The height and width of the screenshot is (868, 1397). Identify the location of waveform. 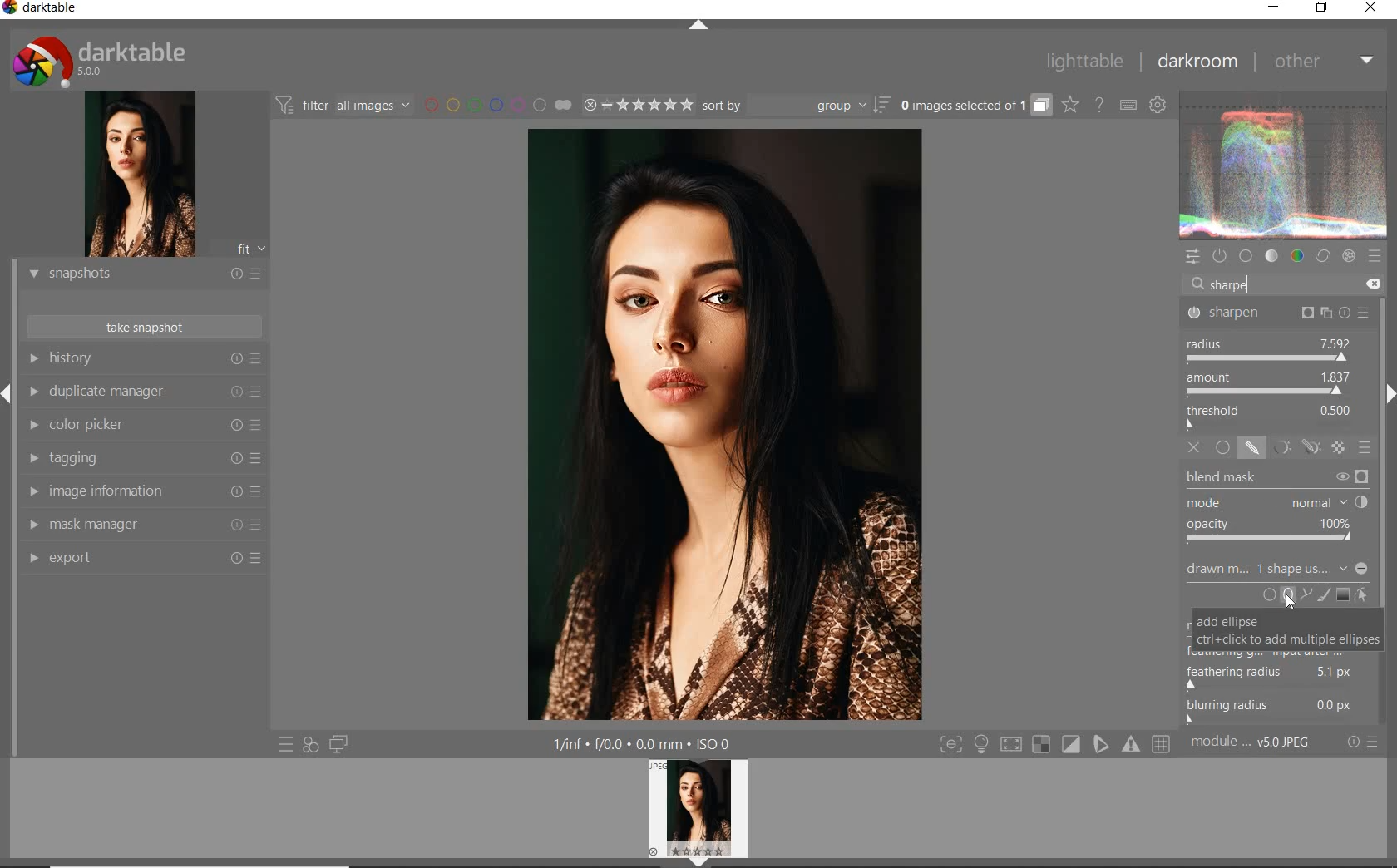
(1284, 165).